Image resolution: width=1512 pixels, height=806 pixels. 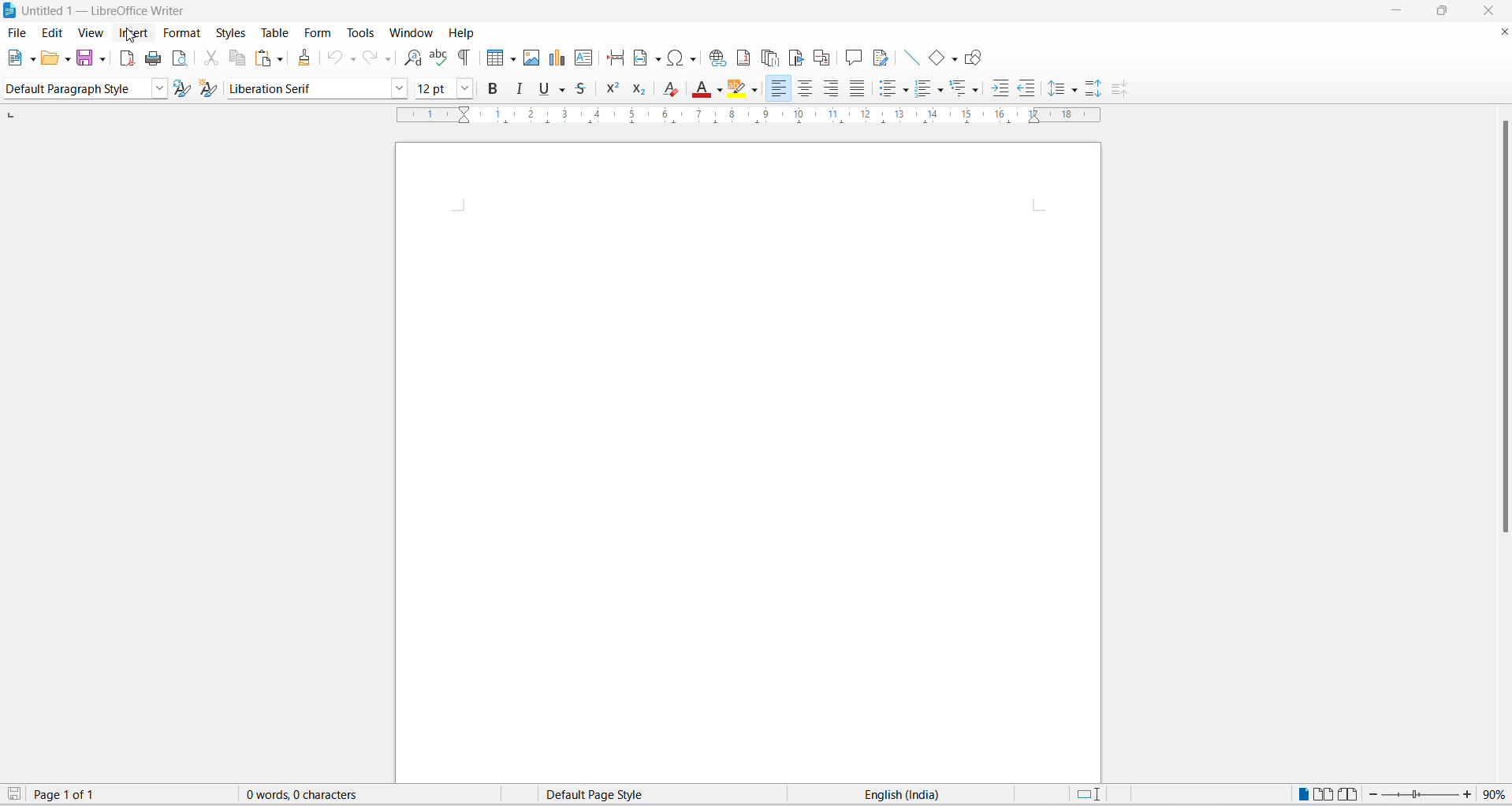 I want to click on style, so click(x=73, y=90).